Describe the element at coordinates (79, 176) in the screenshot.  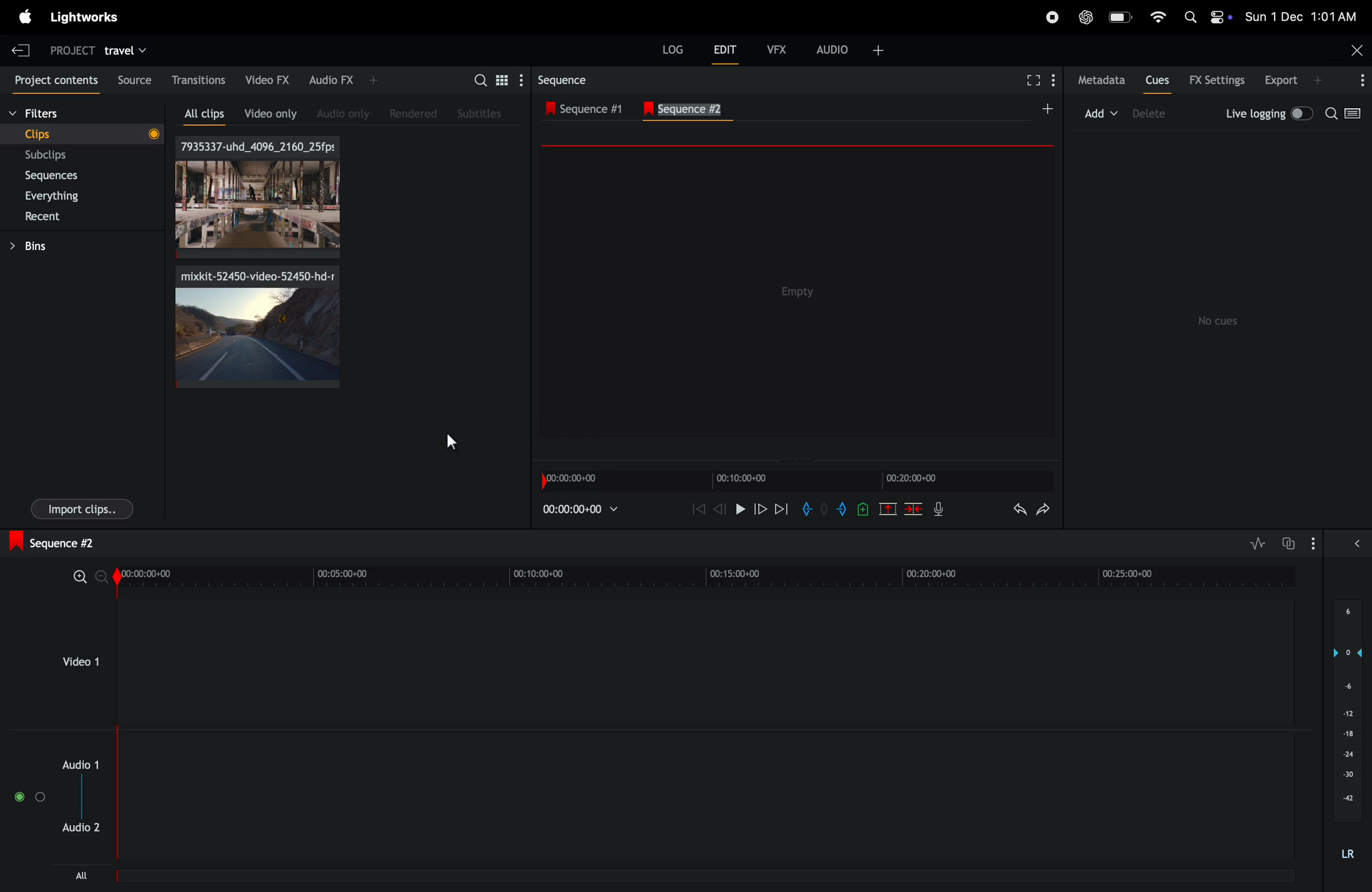
I see `sequences` at that location.